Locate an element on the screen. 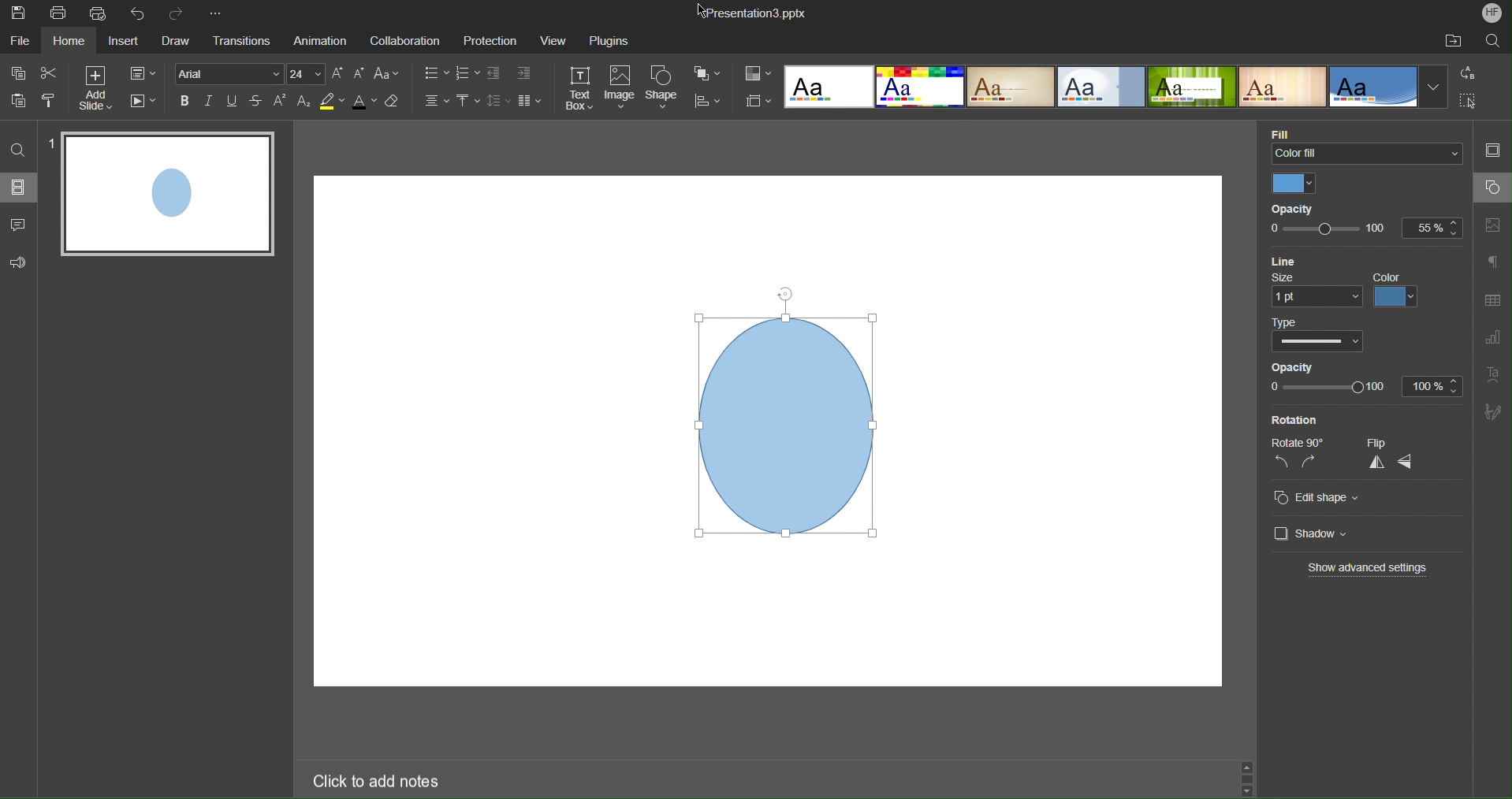  Copy Style is located at coordinates (50, 101).